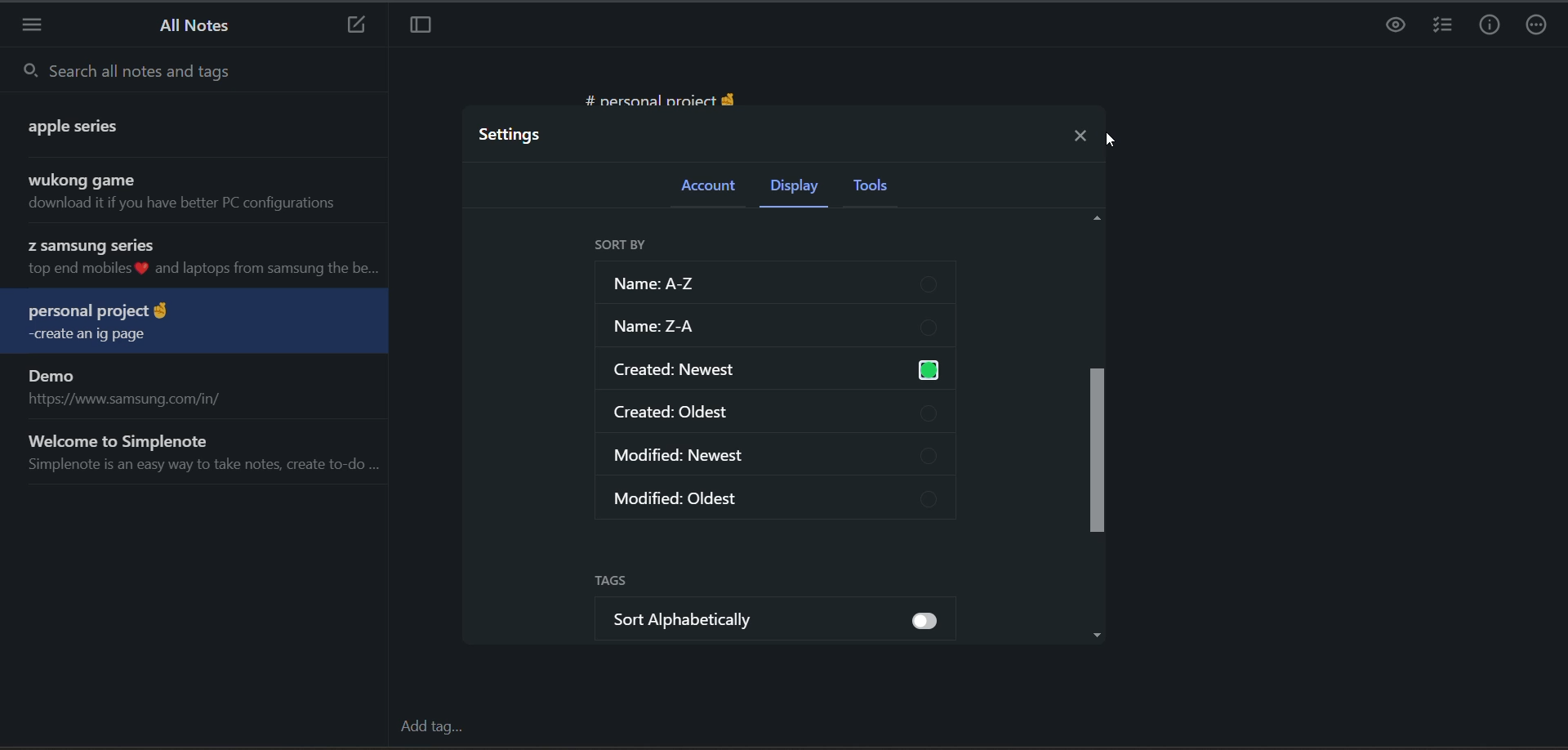 Image resolution: width=1568 pixels, height=750 pixels. What do you see at coordinates (621, 580) in the screenshot?
I see `tags` at bounding box center [621, 580].